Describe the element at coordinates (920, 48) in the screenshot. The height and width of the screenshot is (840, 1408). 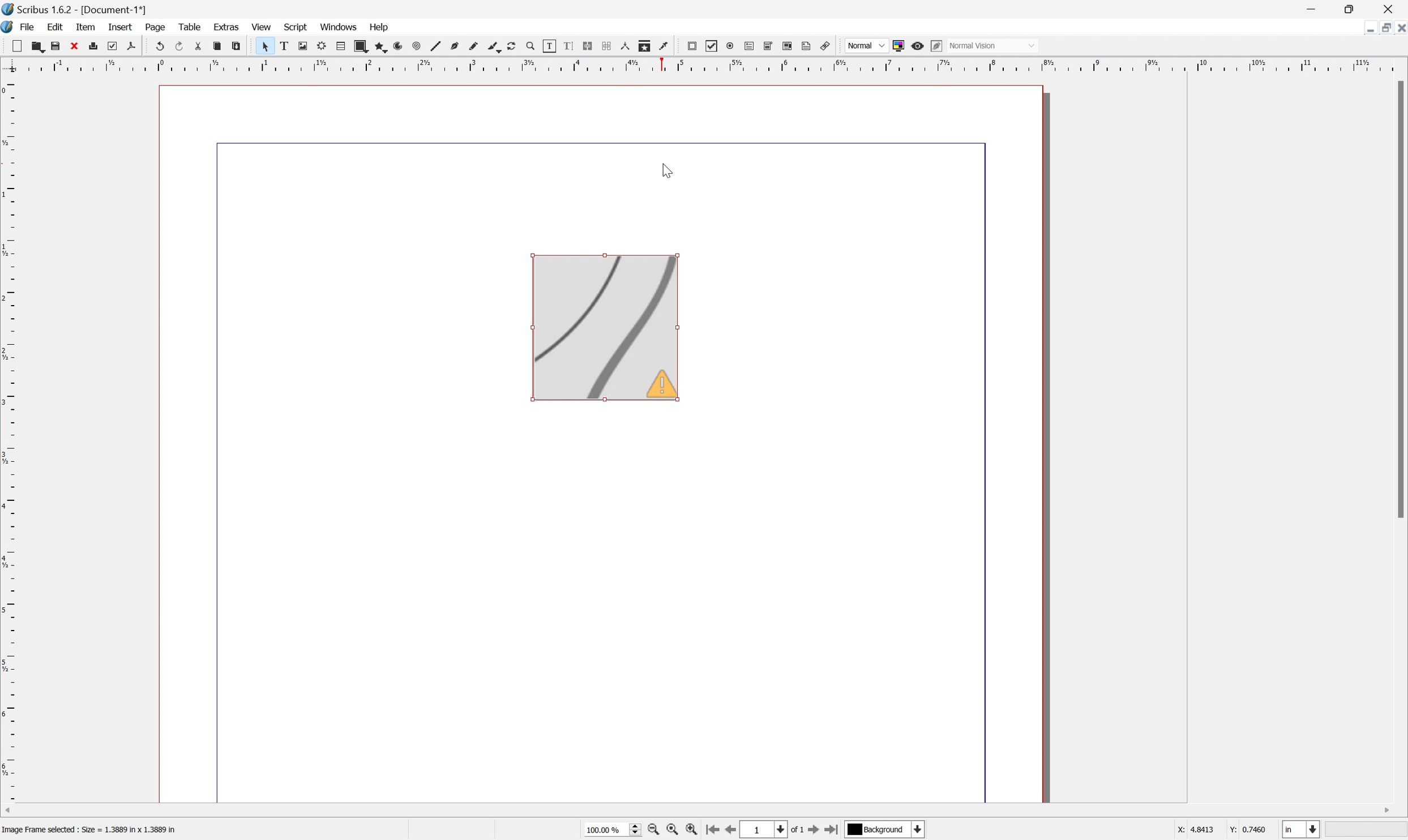
I see `Preview mode` at that location.